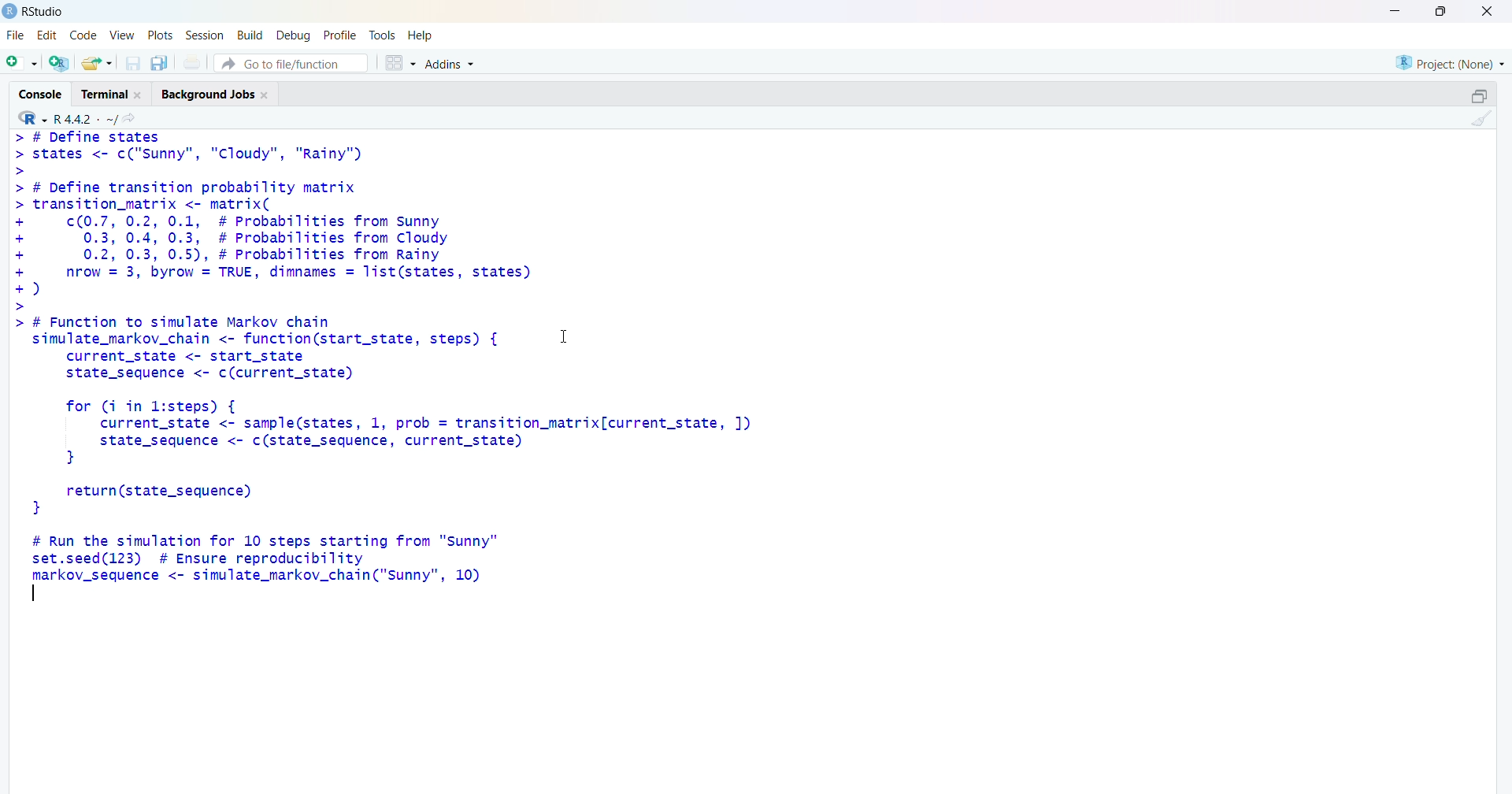 This screenshot has height=794, width=1512. Describe the element at coordinates (206, 35) in the screenshot. I see `session` at that location.